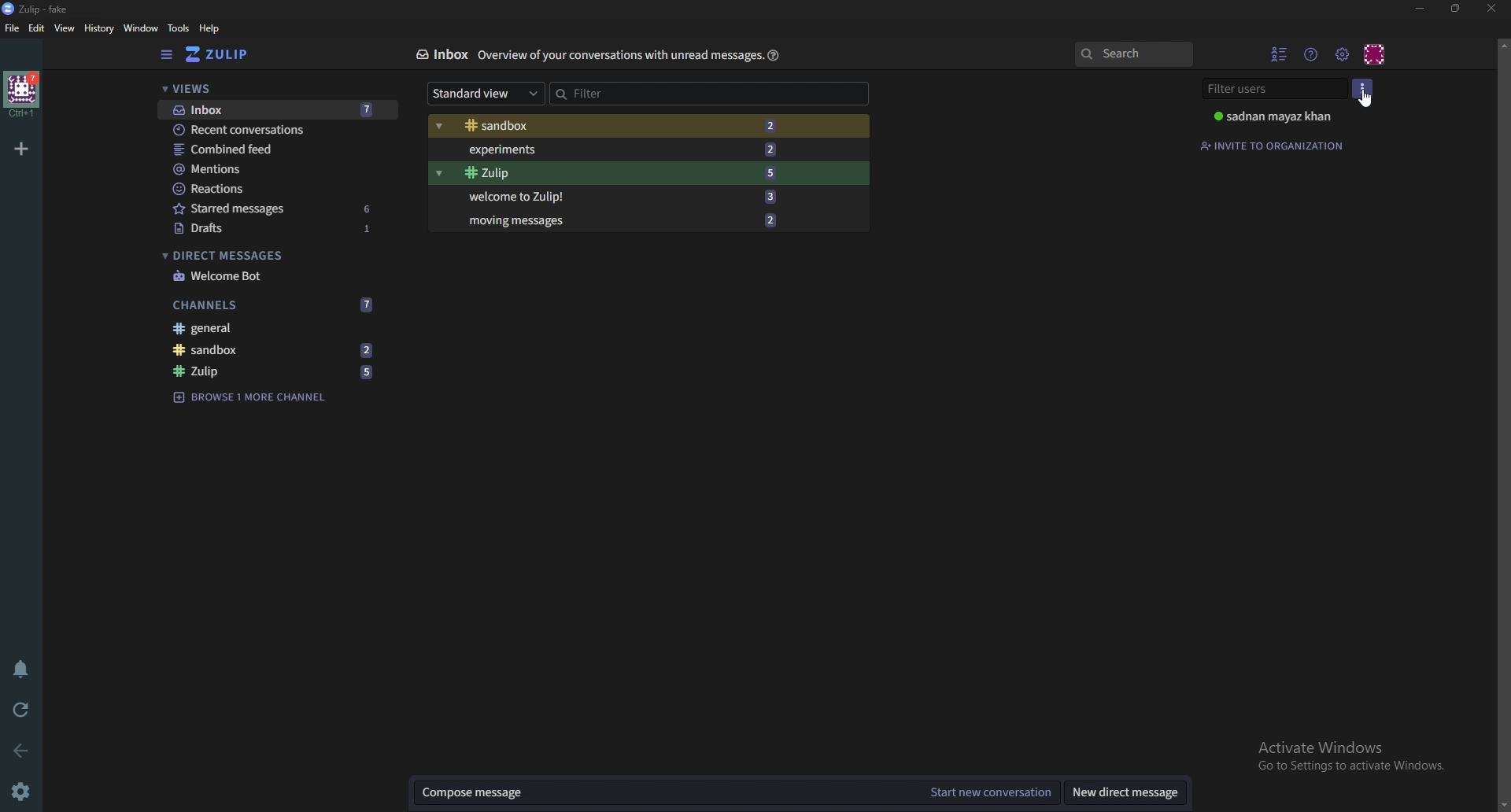 This screenshot has height=812, width=1511. What do you see at coordinates (67, 29) in the screenshot?
I see `view` at bounding box center [67, 29].